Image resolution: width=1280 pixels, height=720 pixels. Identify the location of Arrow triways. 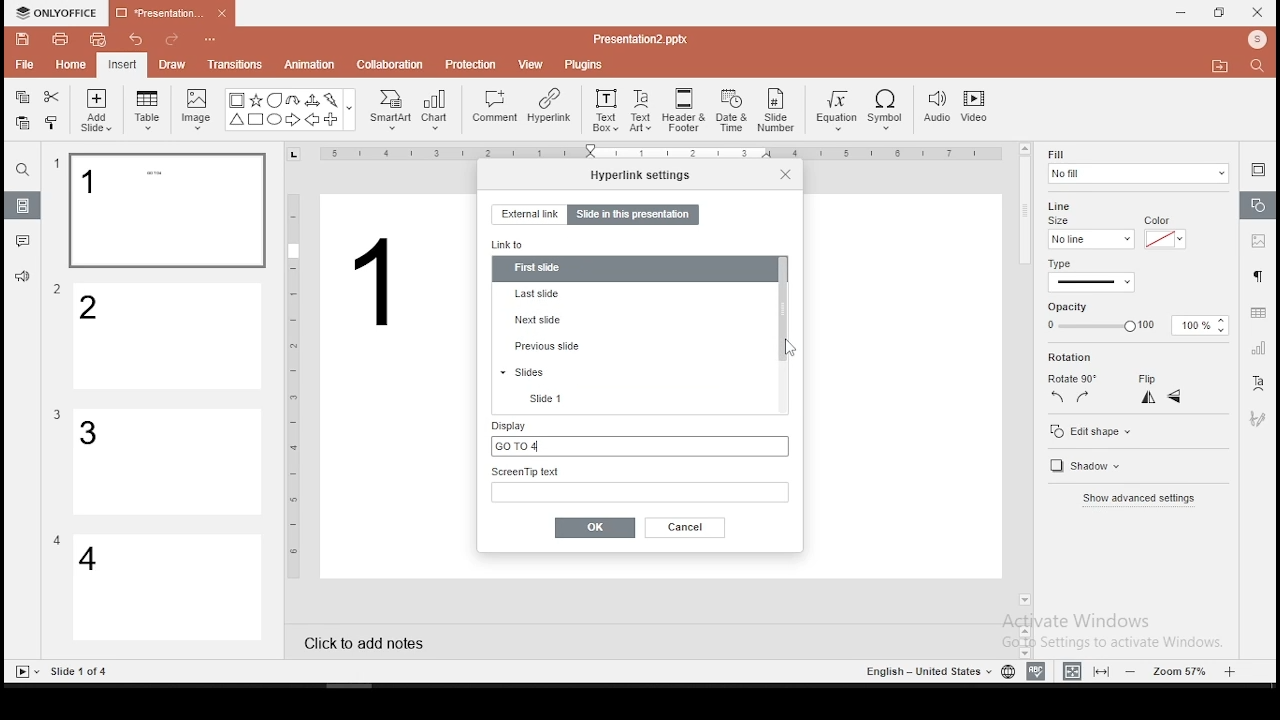
(313, 100).